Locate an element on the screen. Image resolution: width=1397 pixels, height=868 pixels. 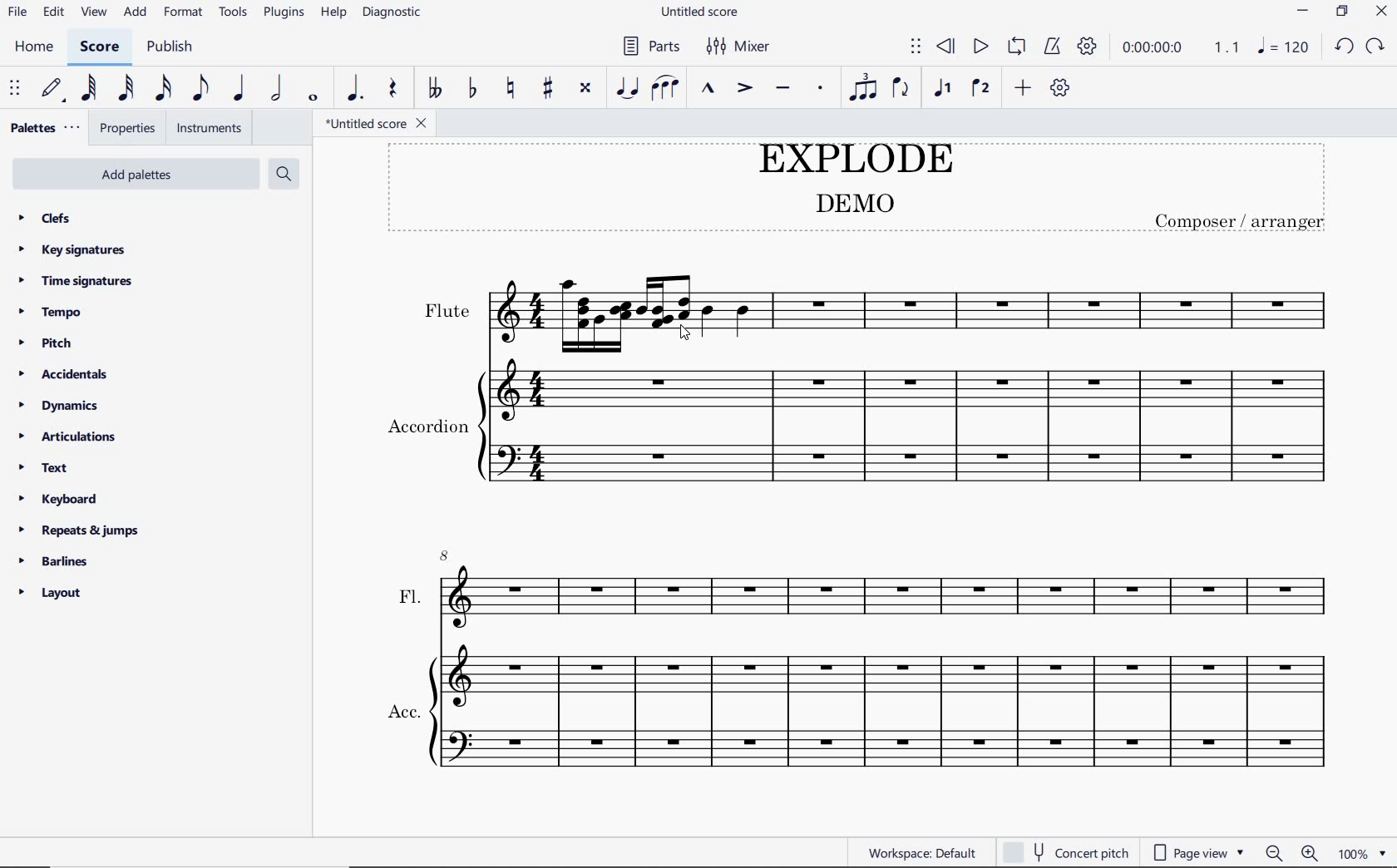
close is located at coordinates (1379, 11).